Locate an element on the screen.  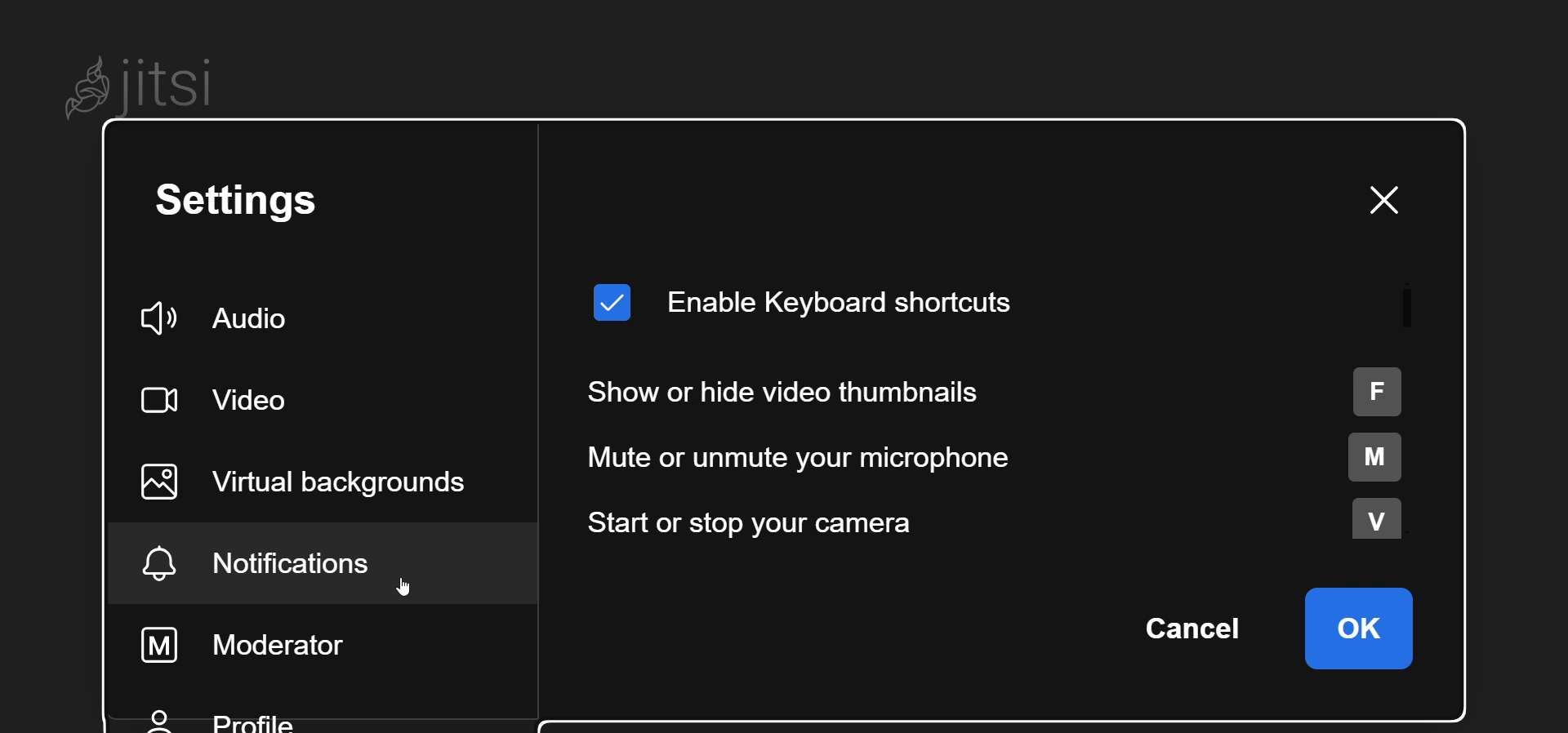
video is located at coordinates (234, 401).